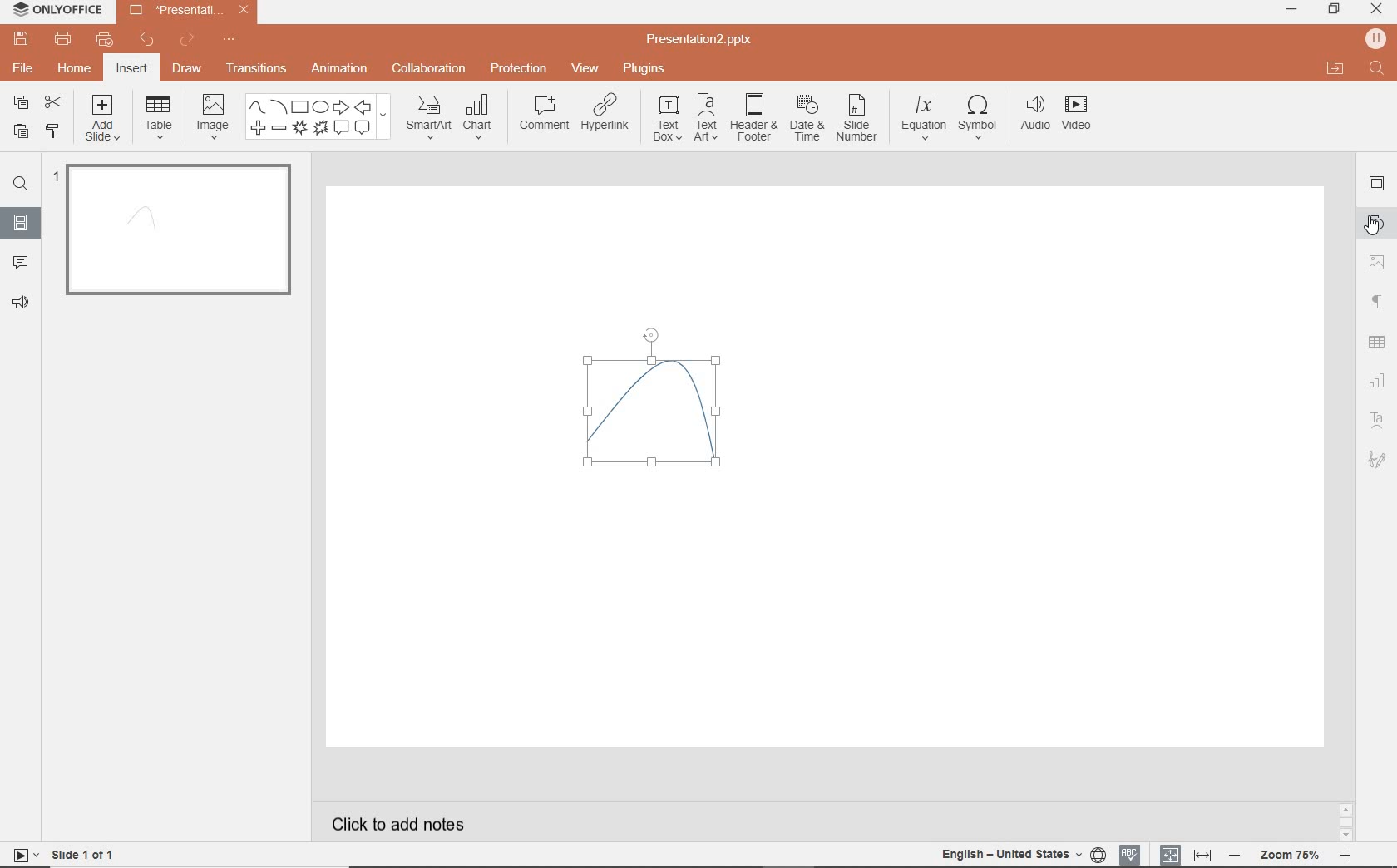 This screenshot has width=1397, height=868. I want to click on COPY, so click(17, 102).